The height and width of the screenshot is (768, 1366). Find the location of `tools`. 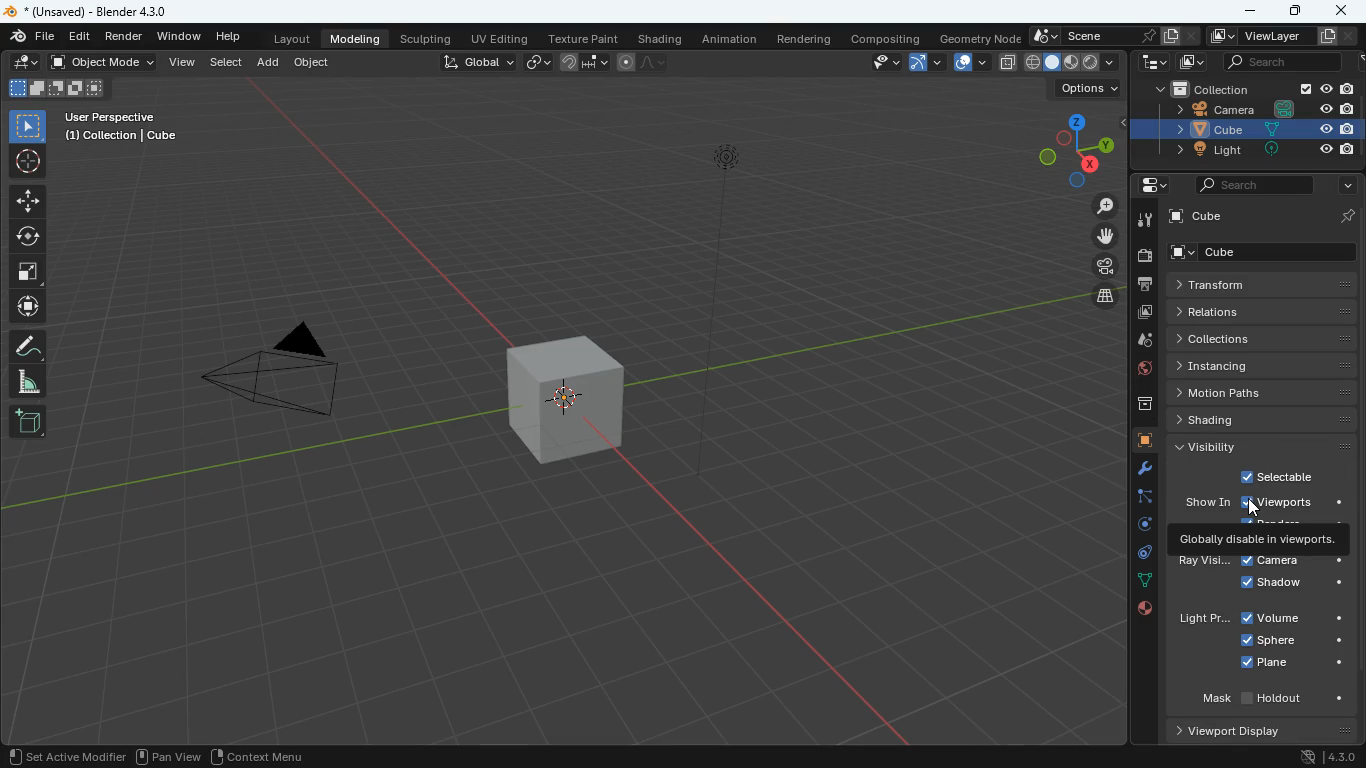

tools is located at coordinates (1137, 470).